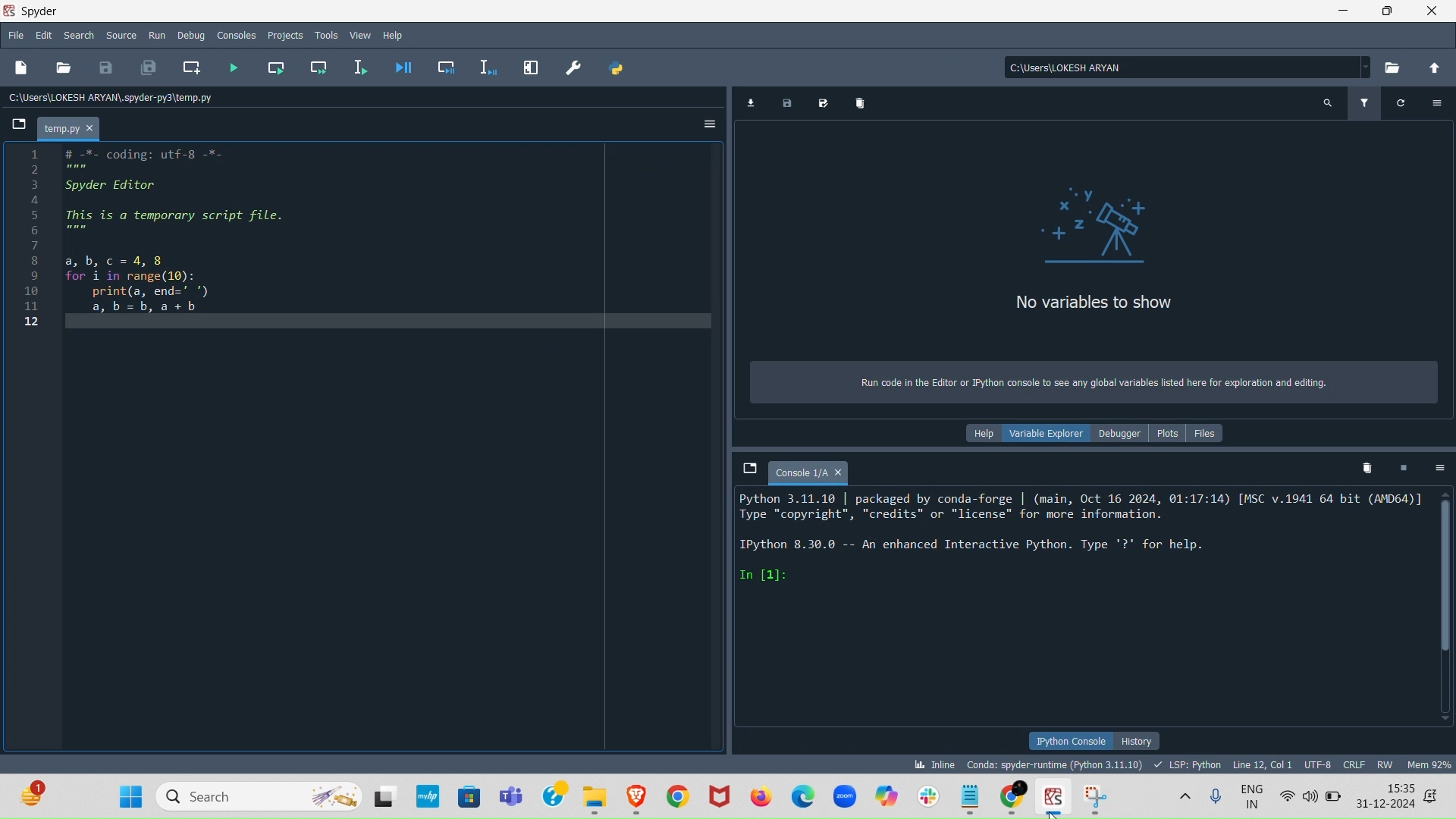 The image size is (1456, 819). What do you see at coordinates (365, 451) in the screenshot?
I see `Code editor` at bounding box center [365, 451].